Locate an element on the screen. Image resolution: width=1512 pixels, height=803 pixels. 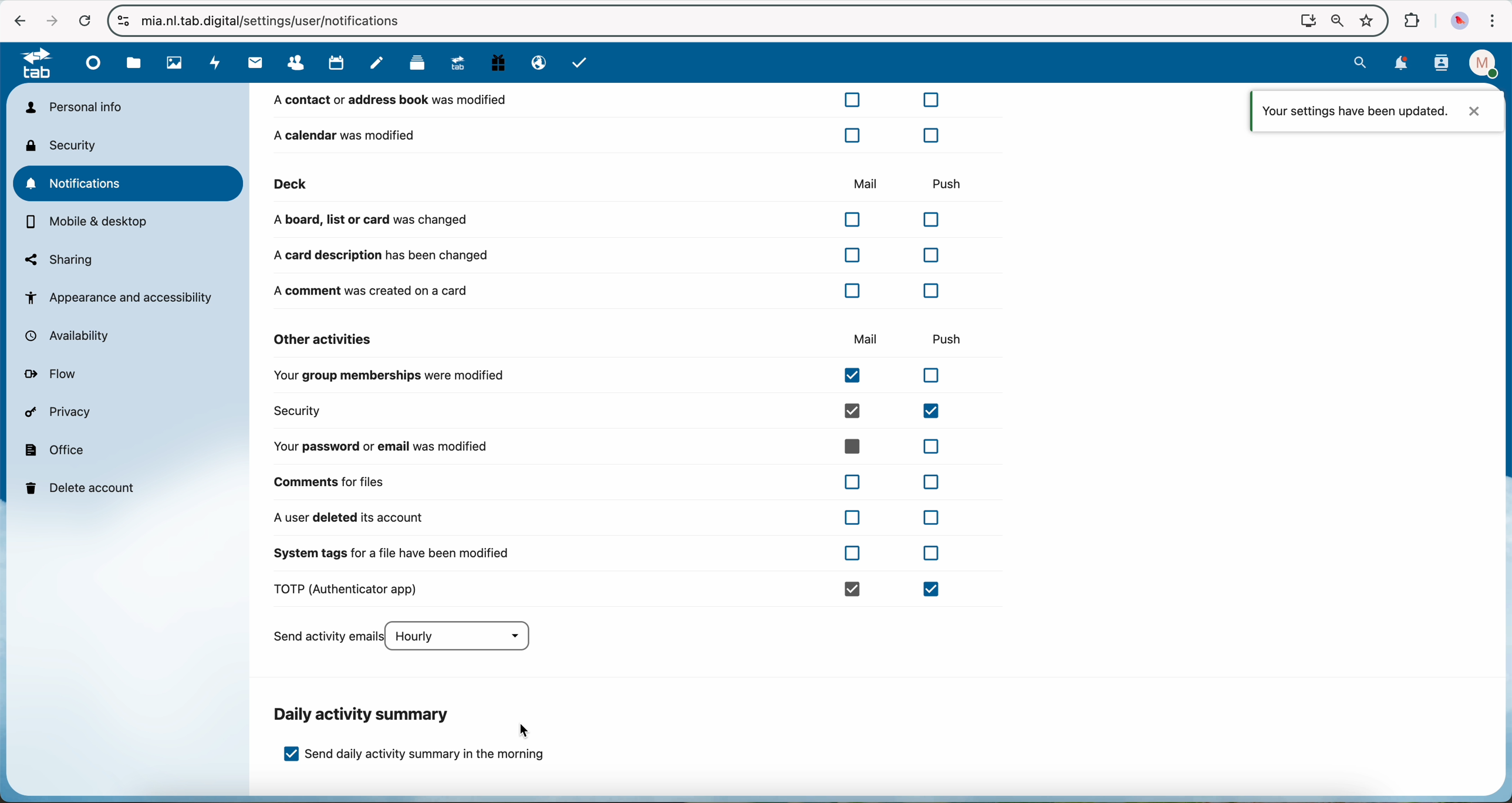
search is located at coordinates (1362, 62).